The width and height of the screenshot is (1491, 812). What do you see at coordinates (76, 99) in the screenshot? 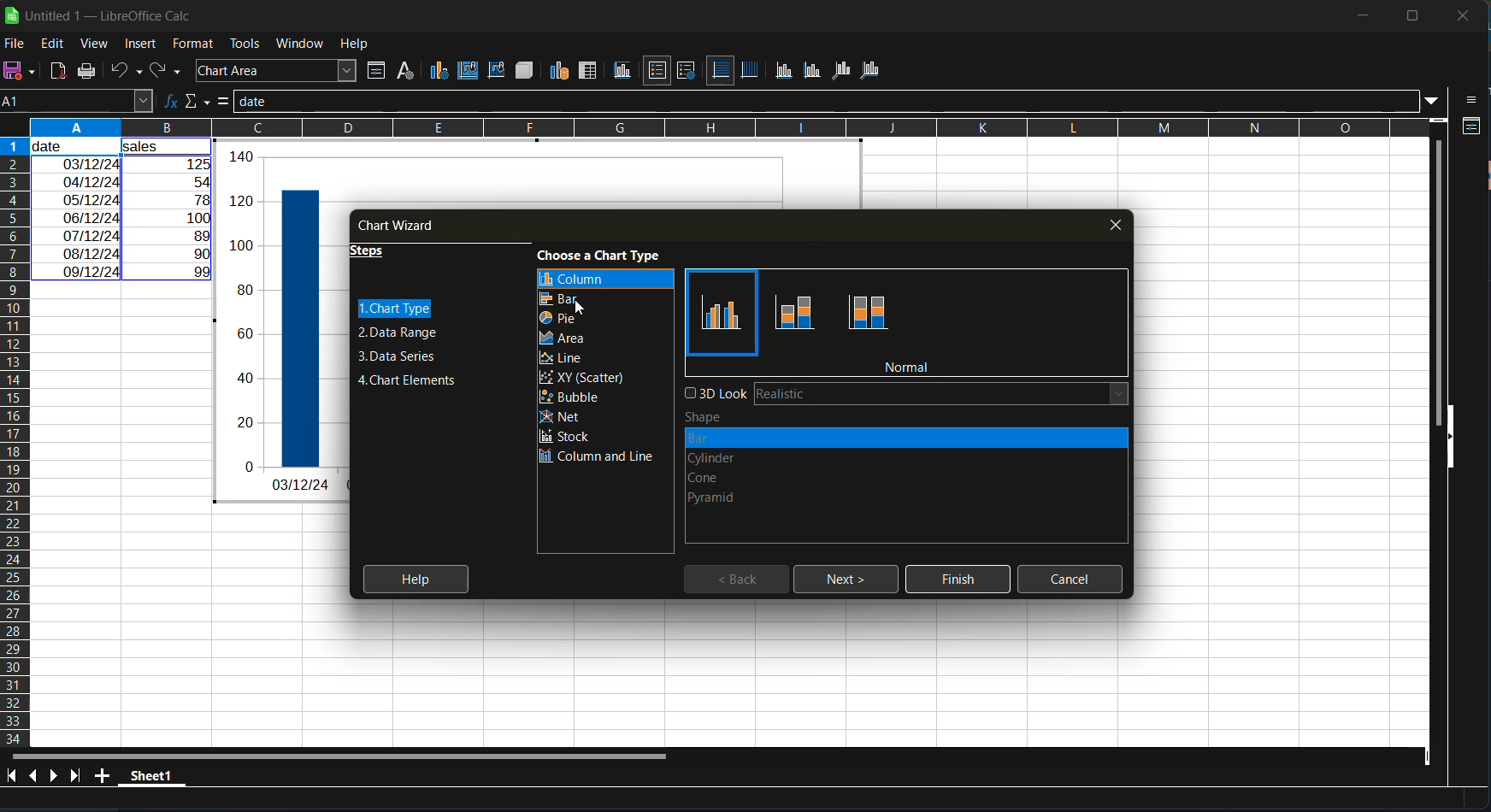
I see `name box` at bounding box center [76, 99].